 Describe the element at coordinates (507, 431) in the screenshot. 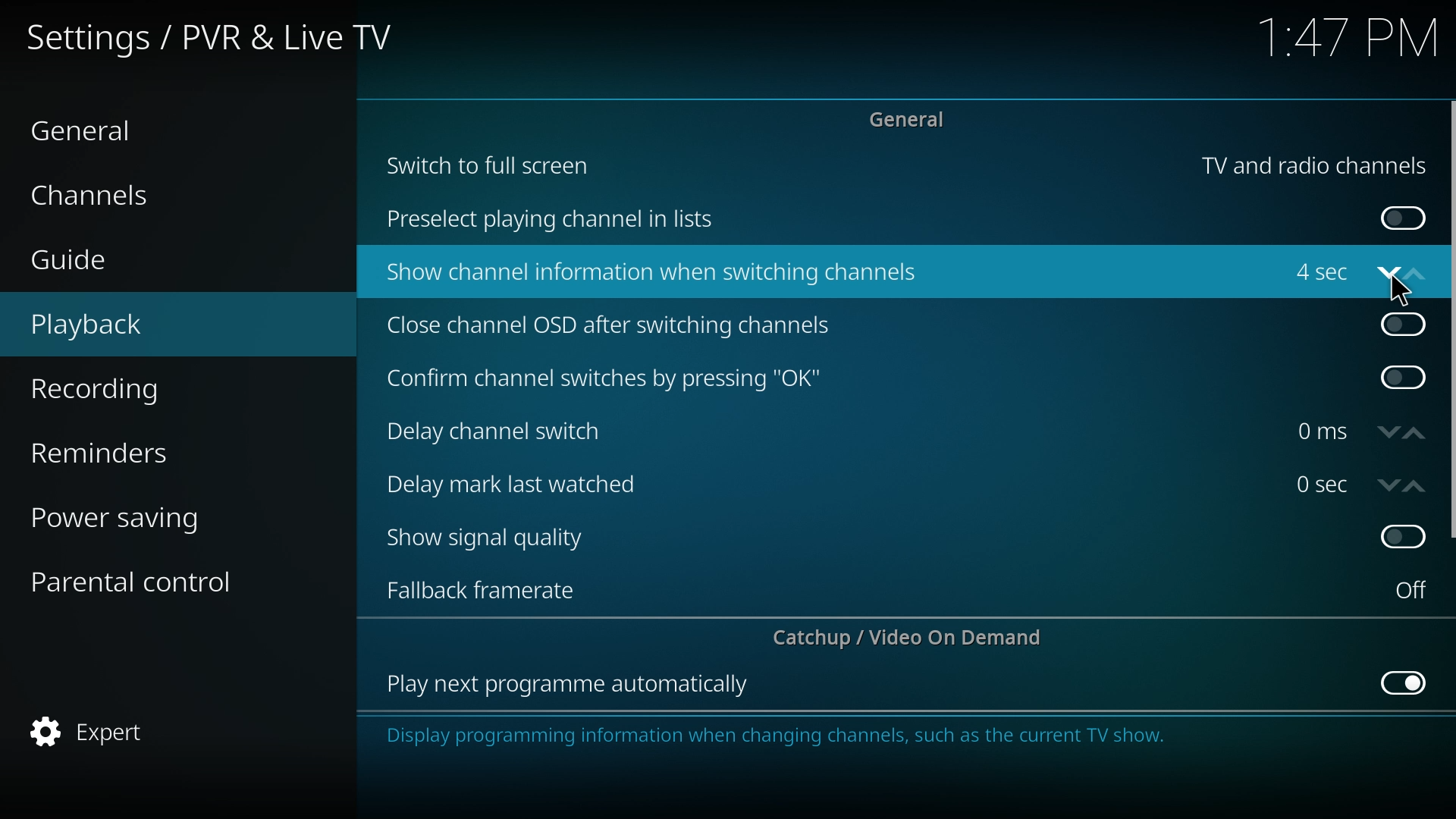

I see `delay channel switch` at that location.